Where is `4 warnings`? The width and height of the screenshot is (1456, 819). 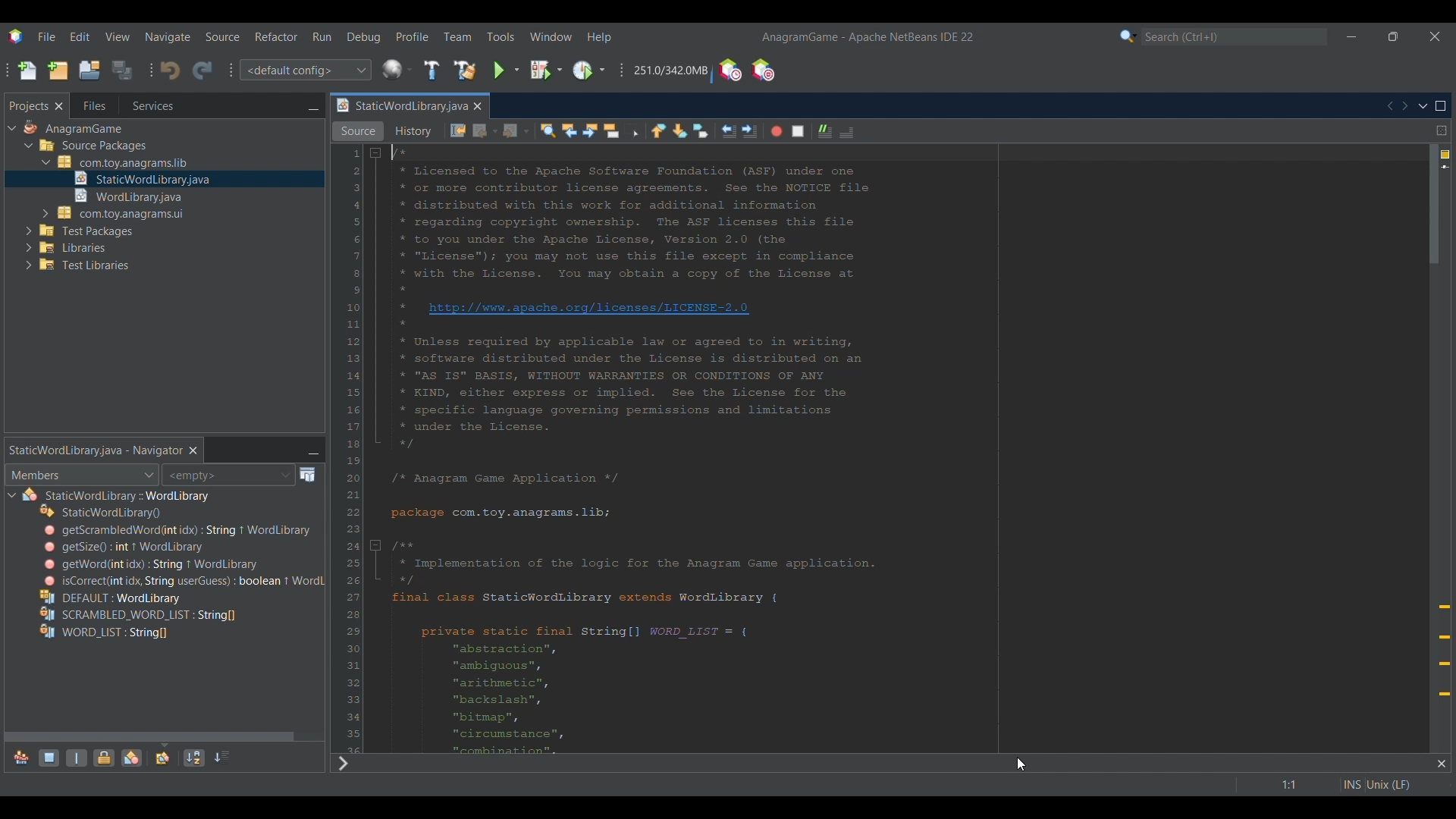 4 warnings is located at coordinates (1445, 155).